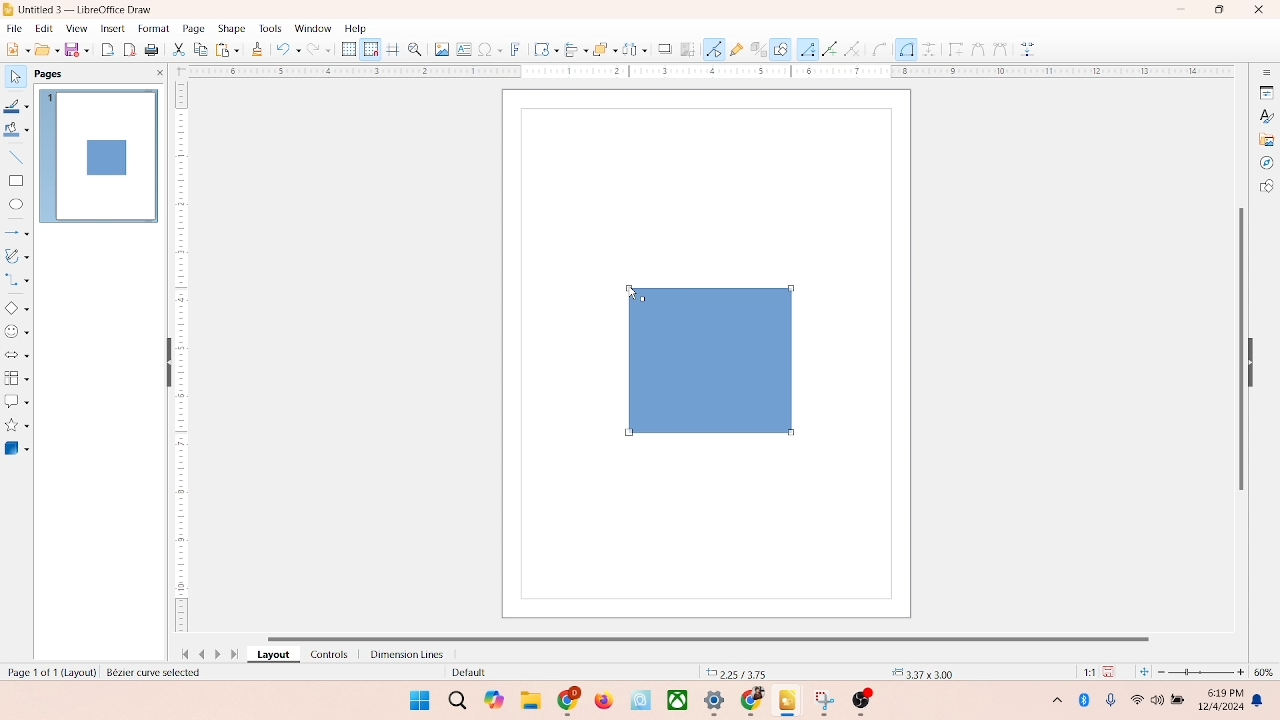 Image resolution: width=1280 pixels, height=720 pixels. I want to click on file, so click(15, 26).